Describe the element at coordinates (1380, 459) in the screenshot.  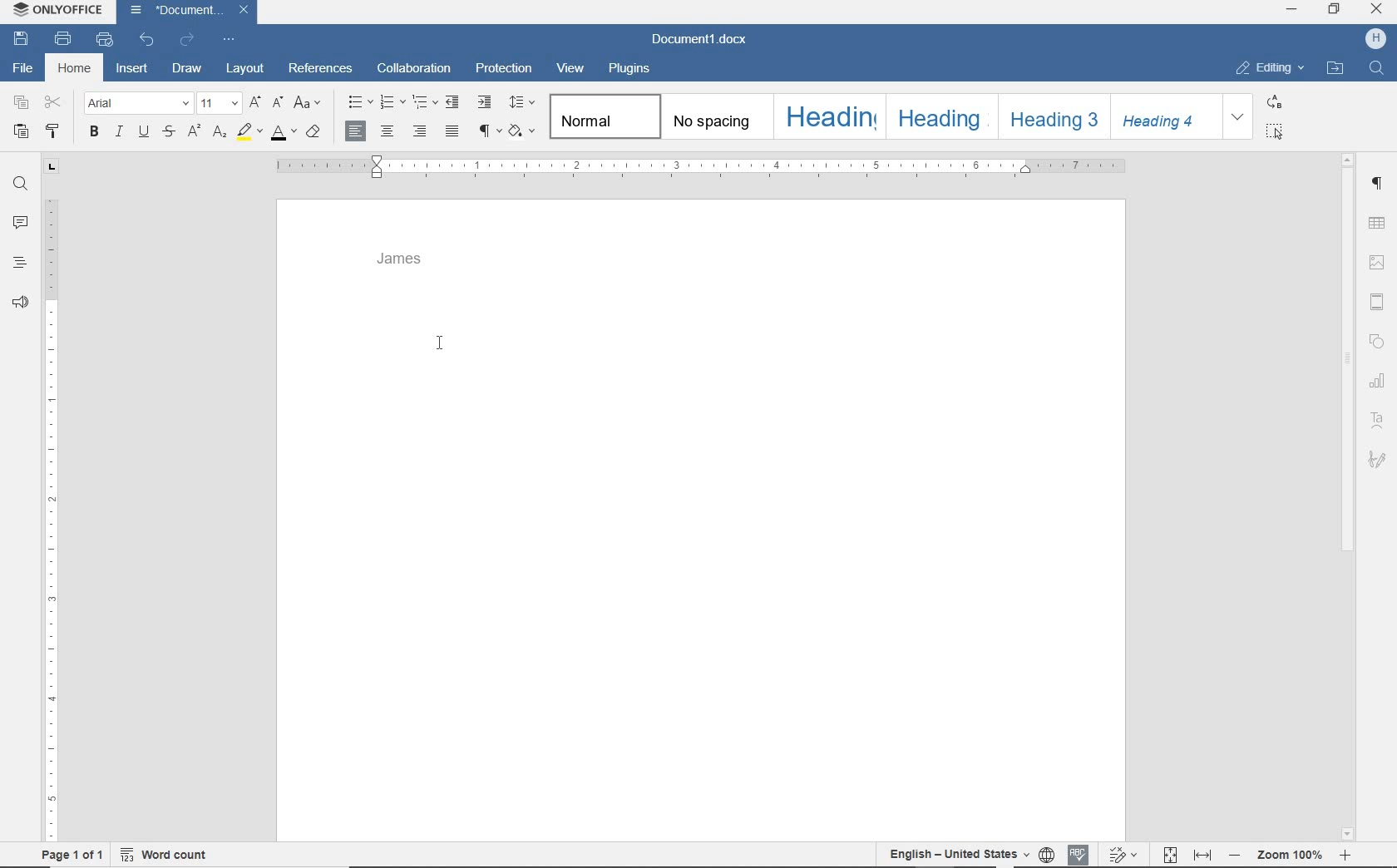
I see `` at that location.